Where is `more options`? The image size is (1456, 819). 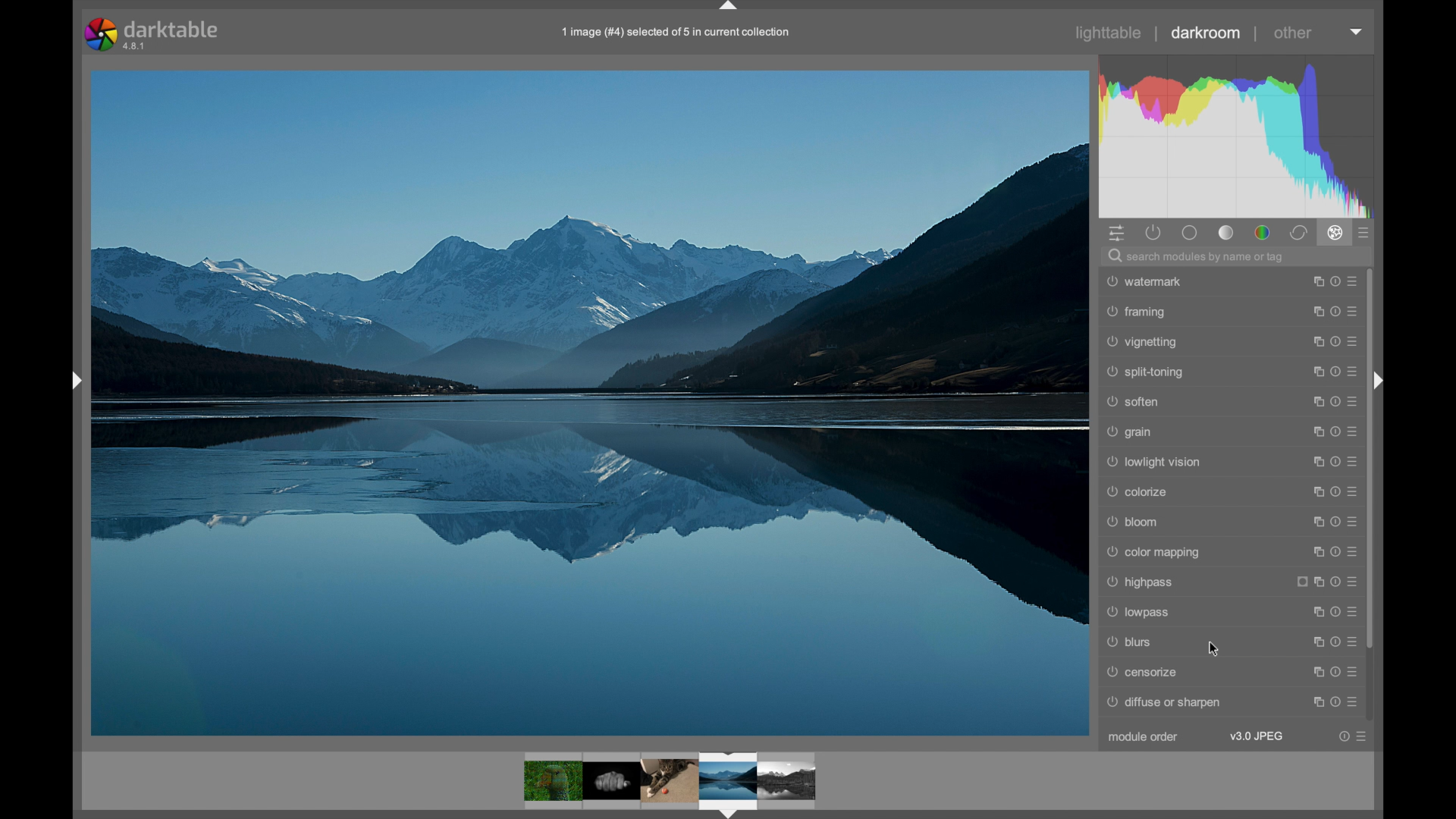 more options is located at coordinates (1354, 672).